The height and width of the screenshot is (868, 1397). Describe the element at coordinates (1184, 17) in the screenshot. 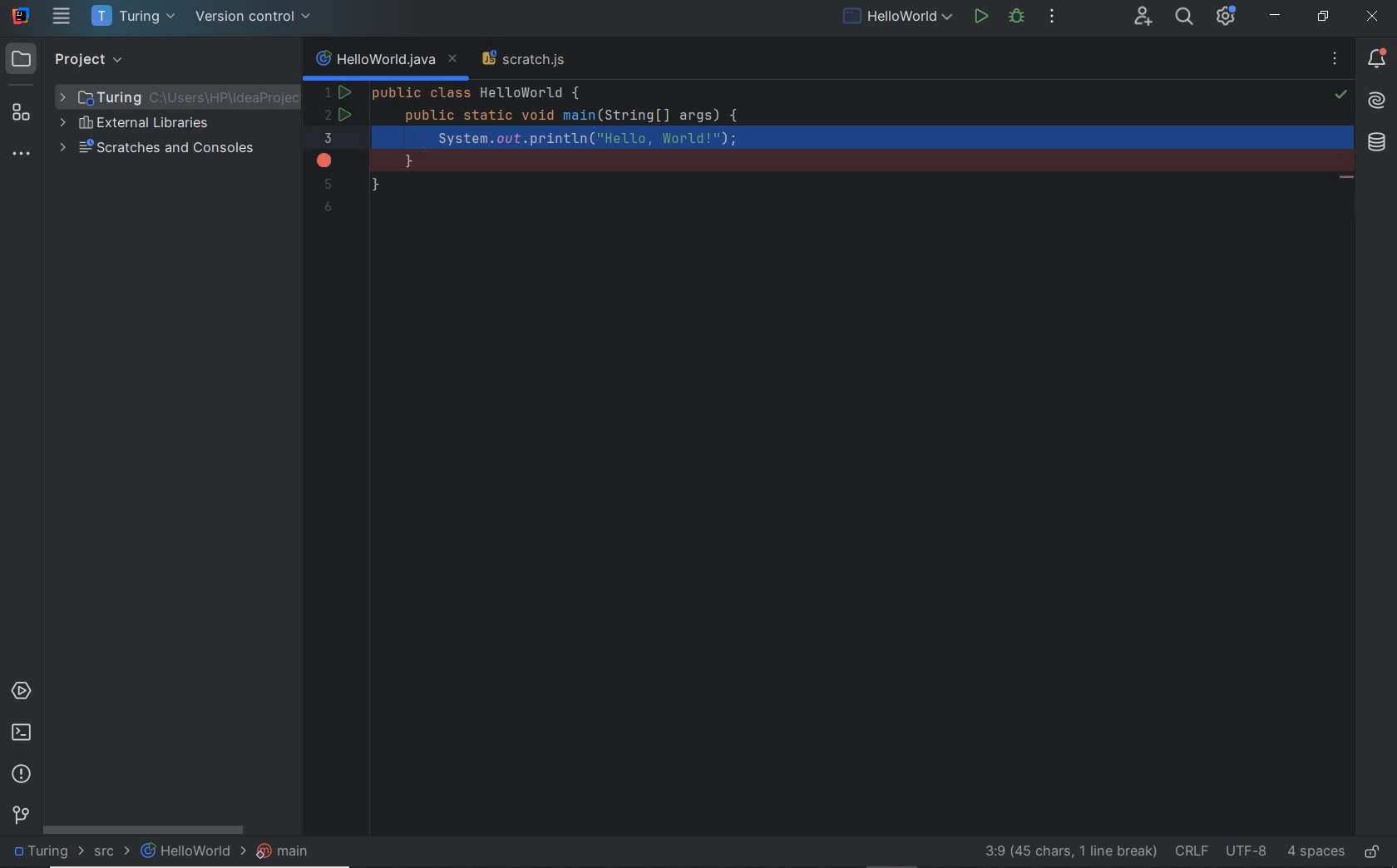

I see `search everywhere` at that location.